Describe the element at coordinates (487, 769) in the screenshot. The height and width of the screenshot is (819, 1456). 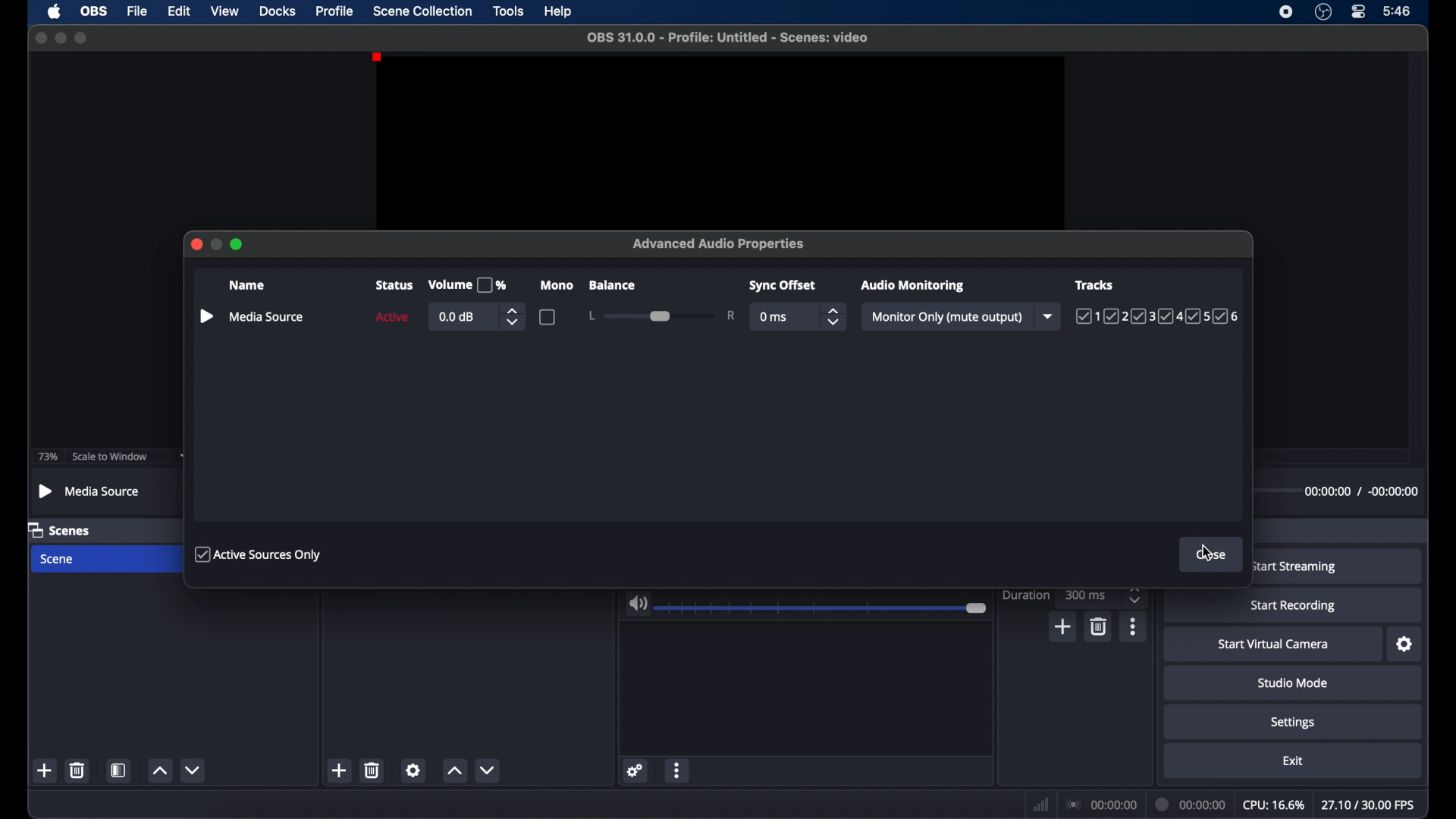
I see `decrement` at that location.